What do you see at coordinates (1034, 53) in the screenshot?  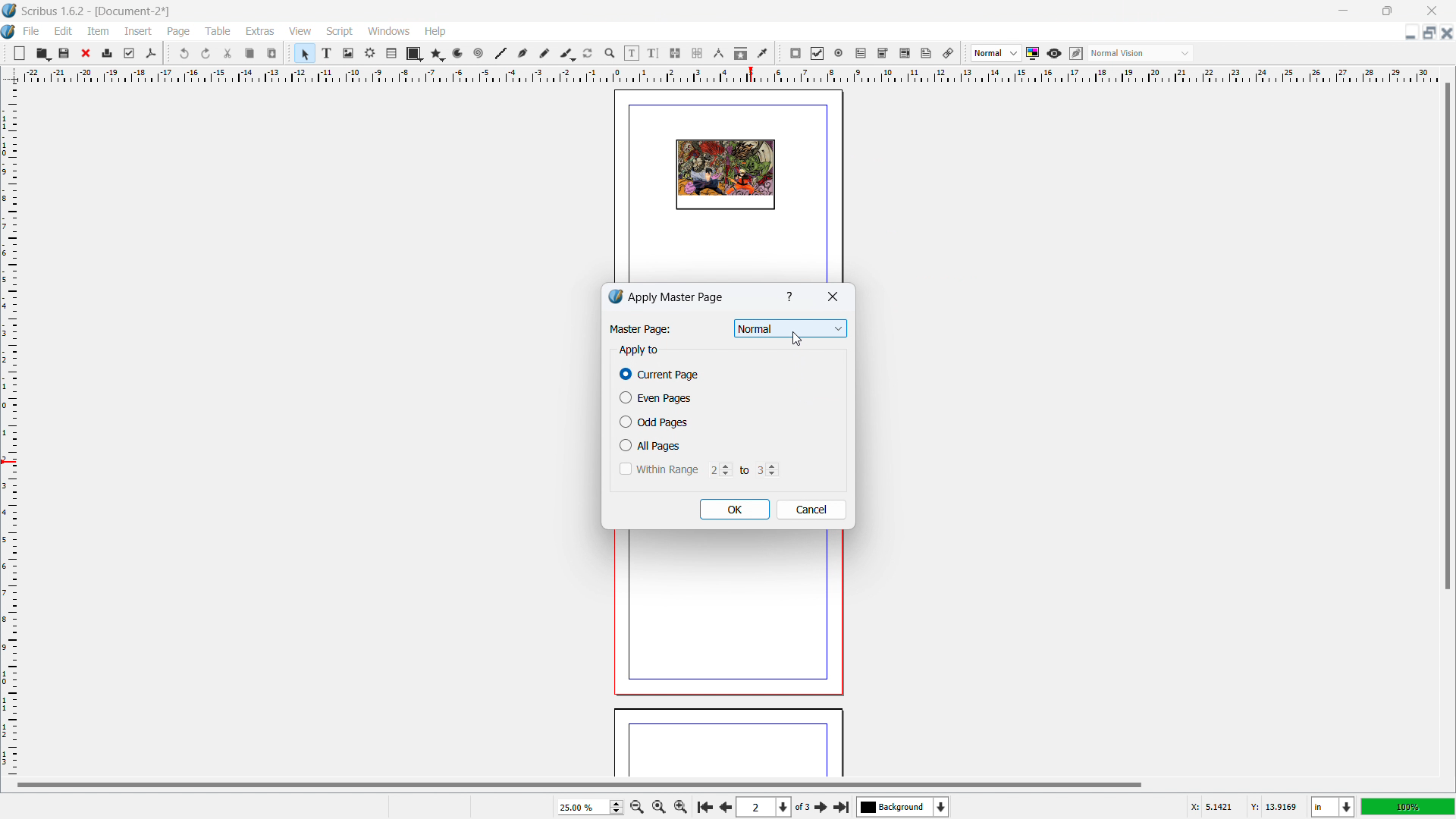 I see `toggle color management system` at bounding box center [1034, 53].